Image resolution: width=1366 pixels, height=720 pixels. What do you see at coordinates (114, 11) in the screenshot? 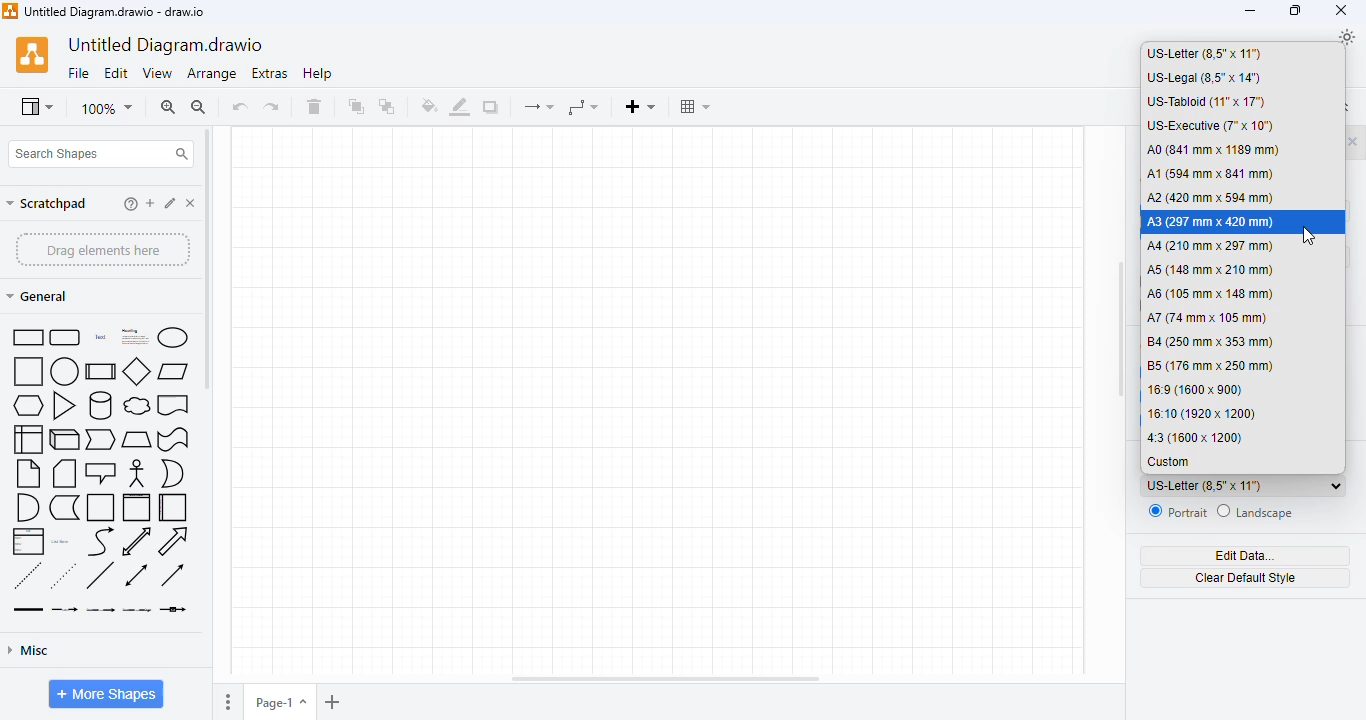
I see `title` at bounding box center [114, 11].